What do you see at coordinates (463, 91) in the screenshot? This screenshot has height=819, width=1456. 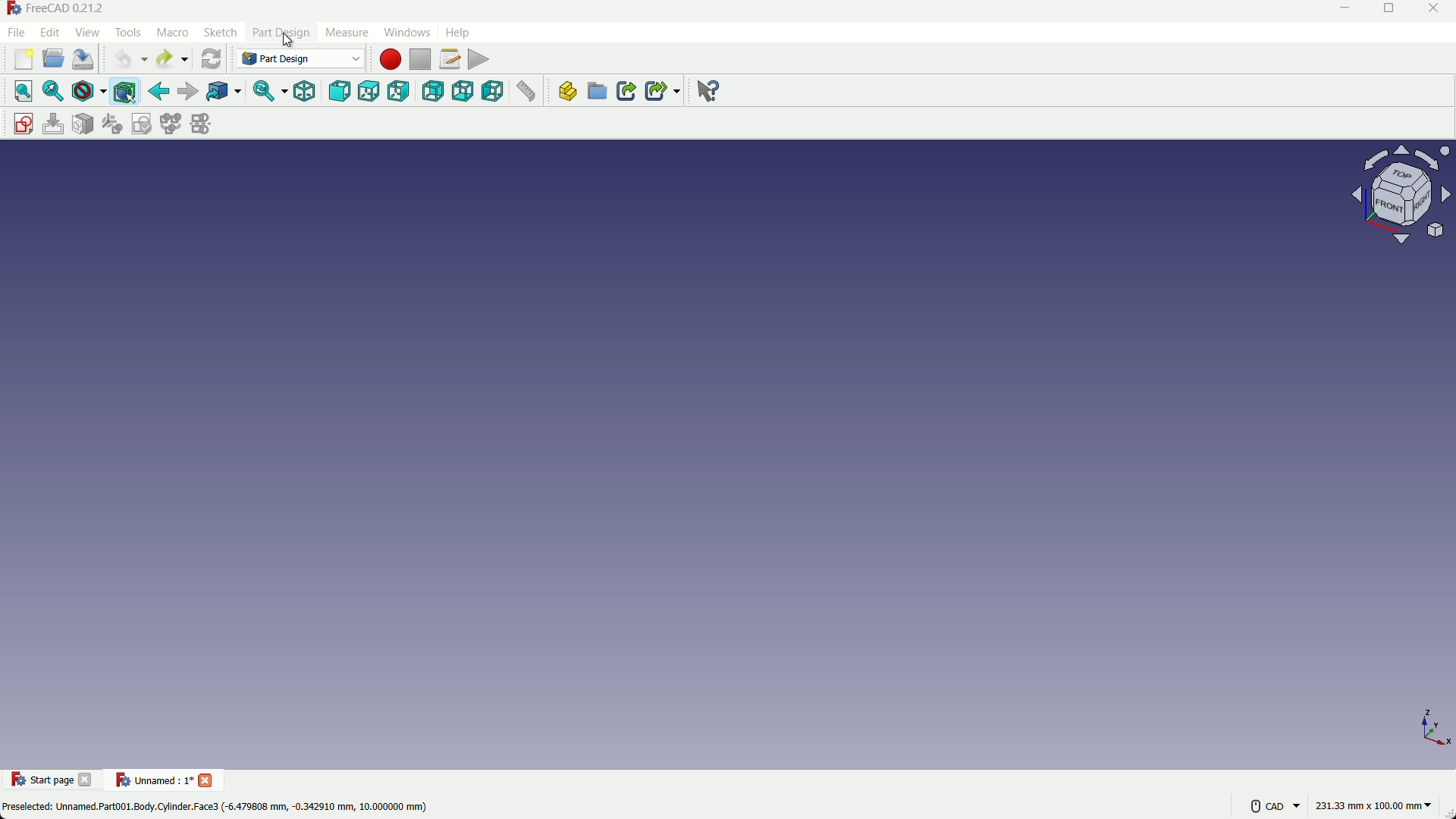 I see `bottom view` at bounding box center [463, 91].